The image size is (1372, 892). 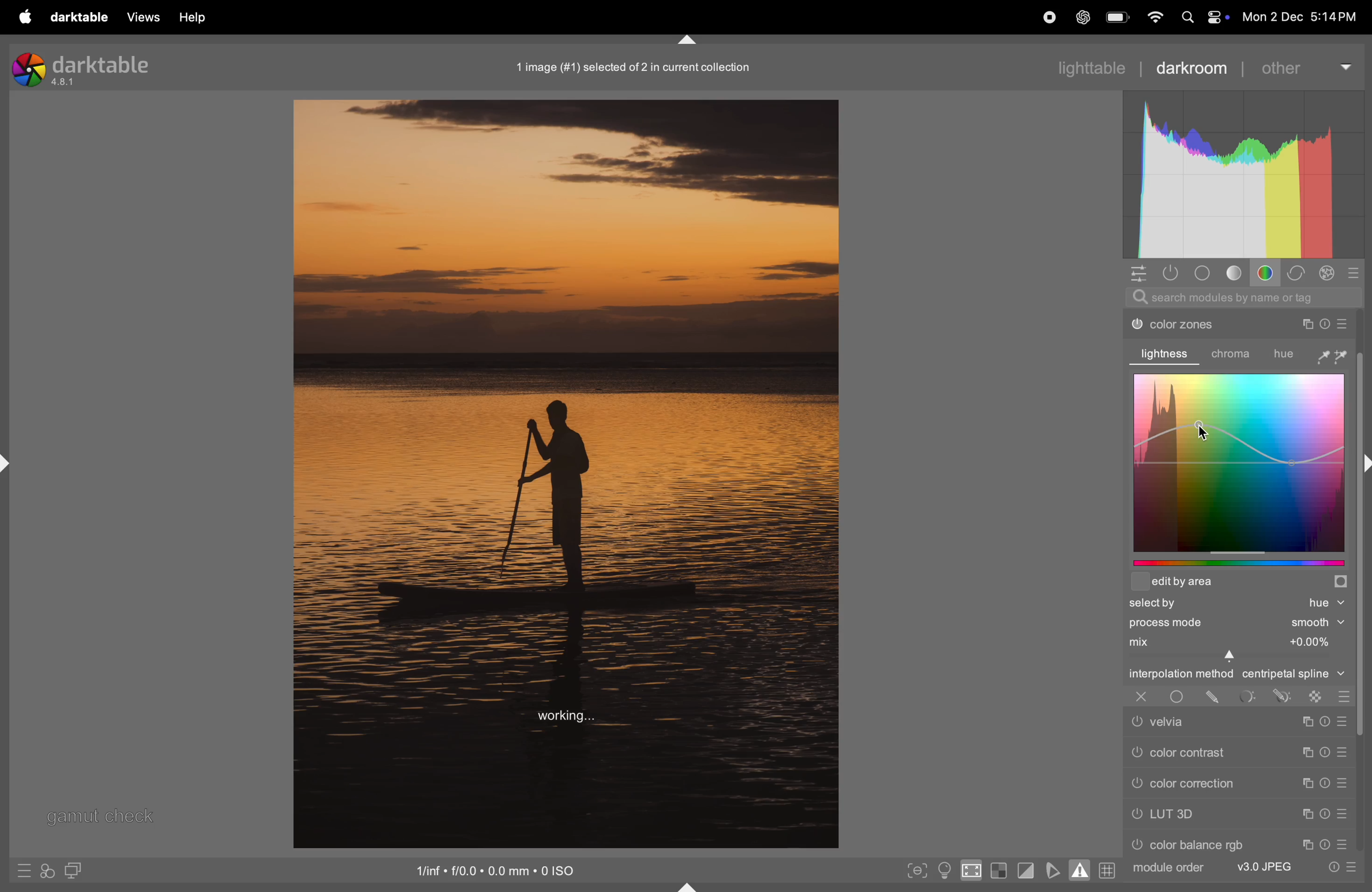 I want to click on , so click(x=1317, y=697).